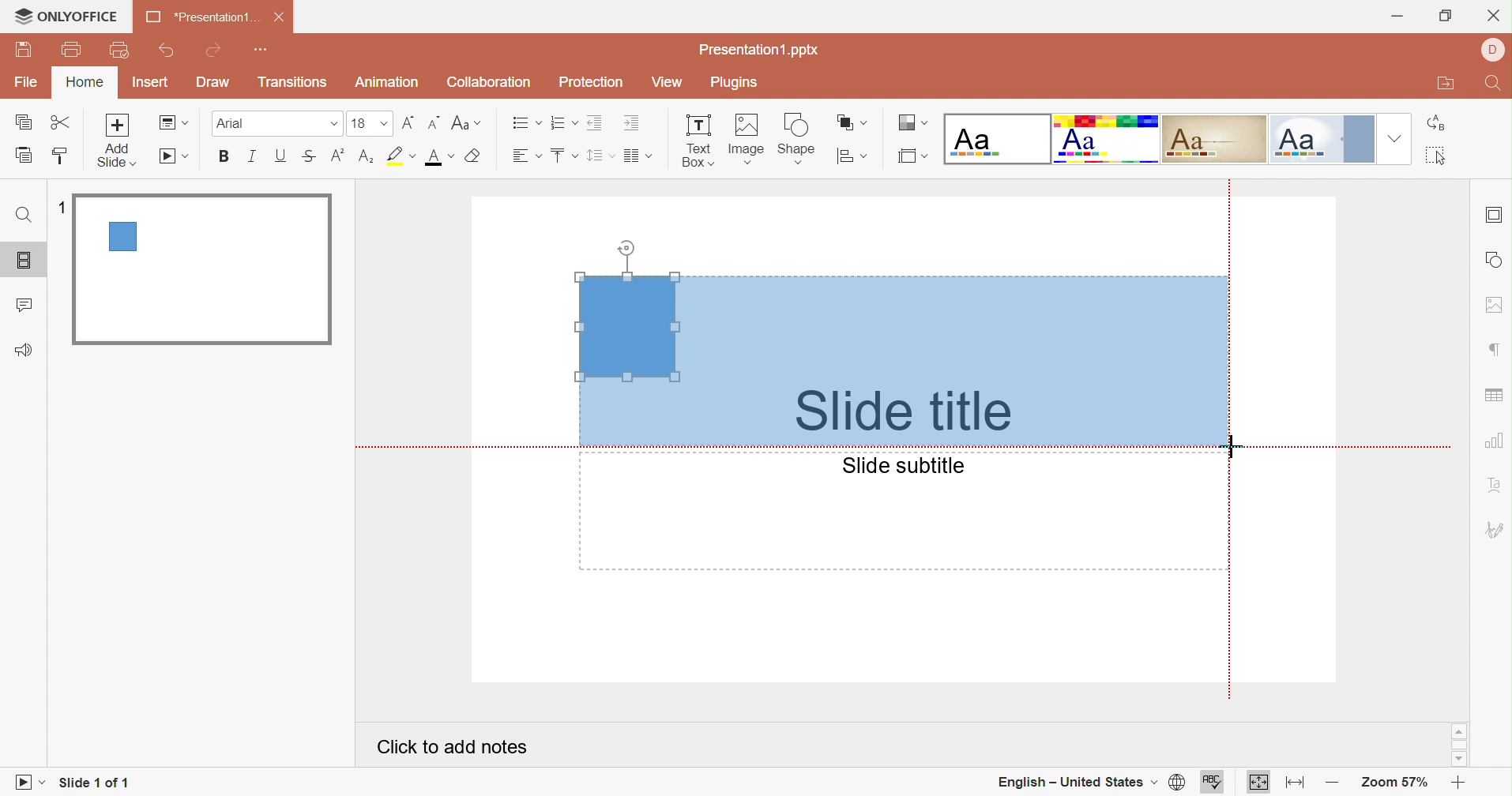 The height and width of the screenshot is (796, 1512). Describe the element at coordinates (897, 411) in the screenshot. I see `Slide title` at that location.